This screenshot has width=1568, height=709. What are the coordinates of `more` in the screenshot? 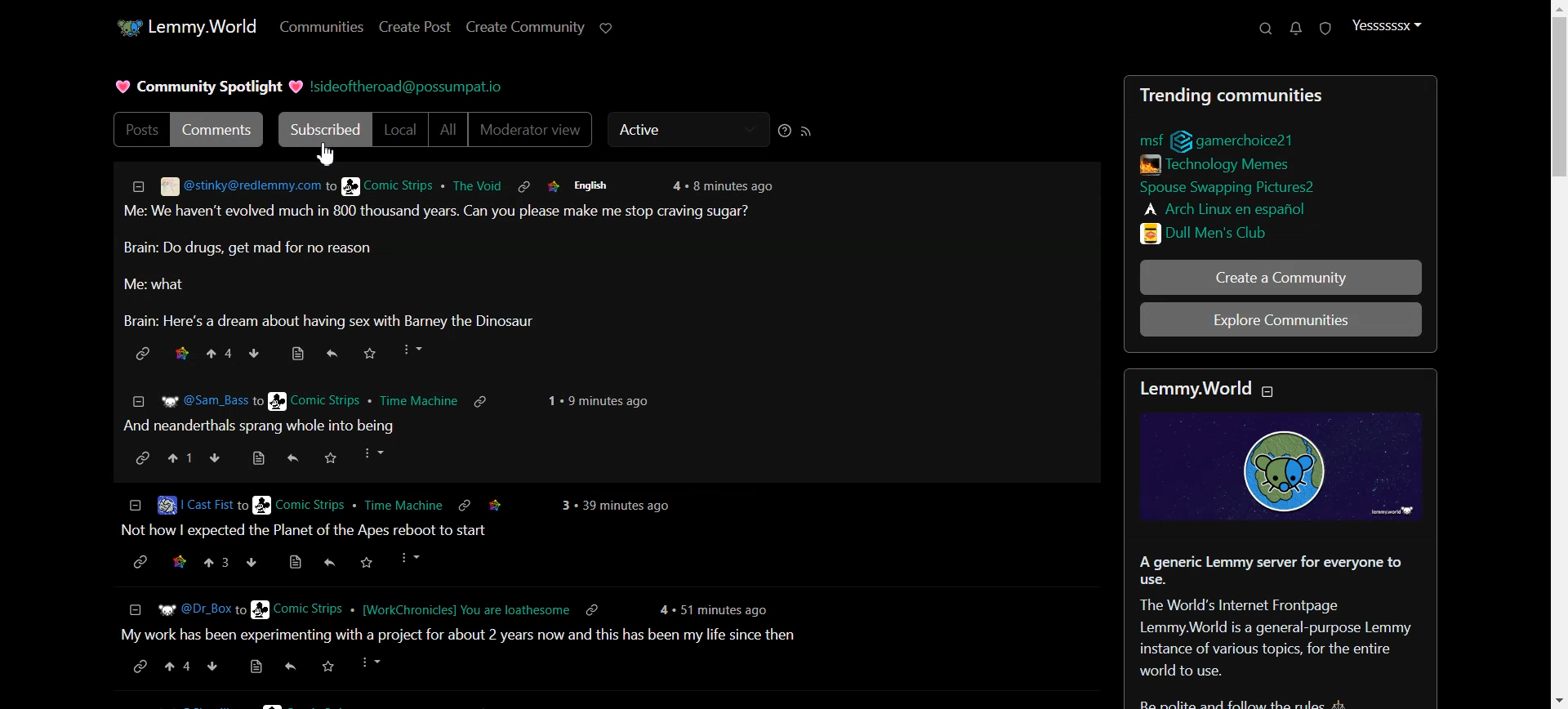 It's located at (372, 452).